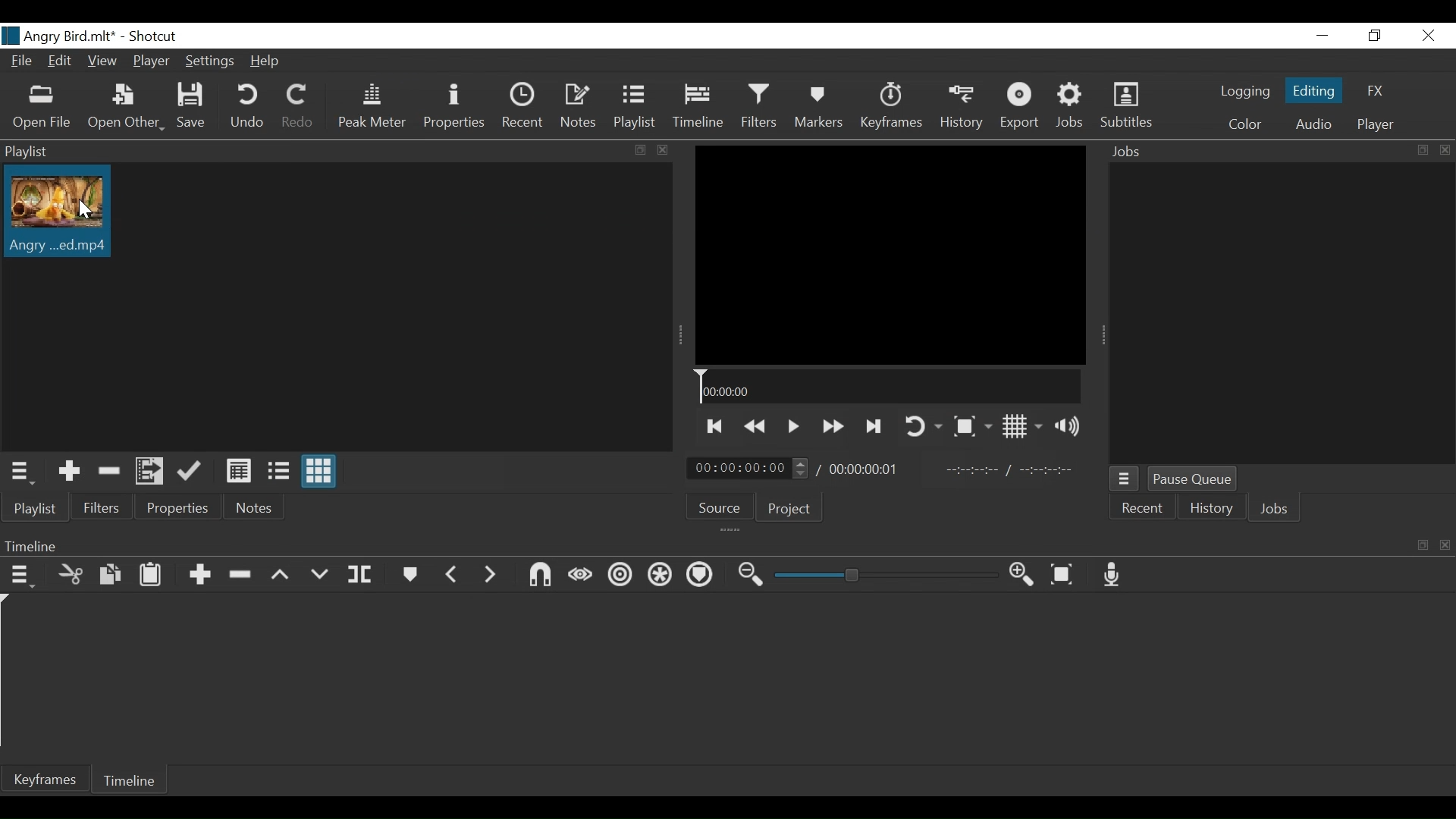 This screenshot has width=1456, height=819. I want to click on Split Playhead, so click(359, 575).